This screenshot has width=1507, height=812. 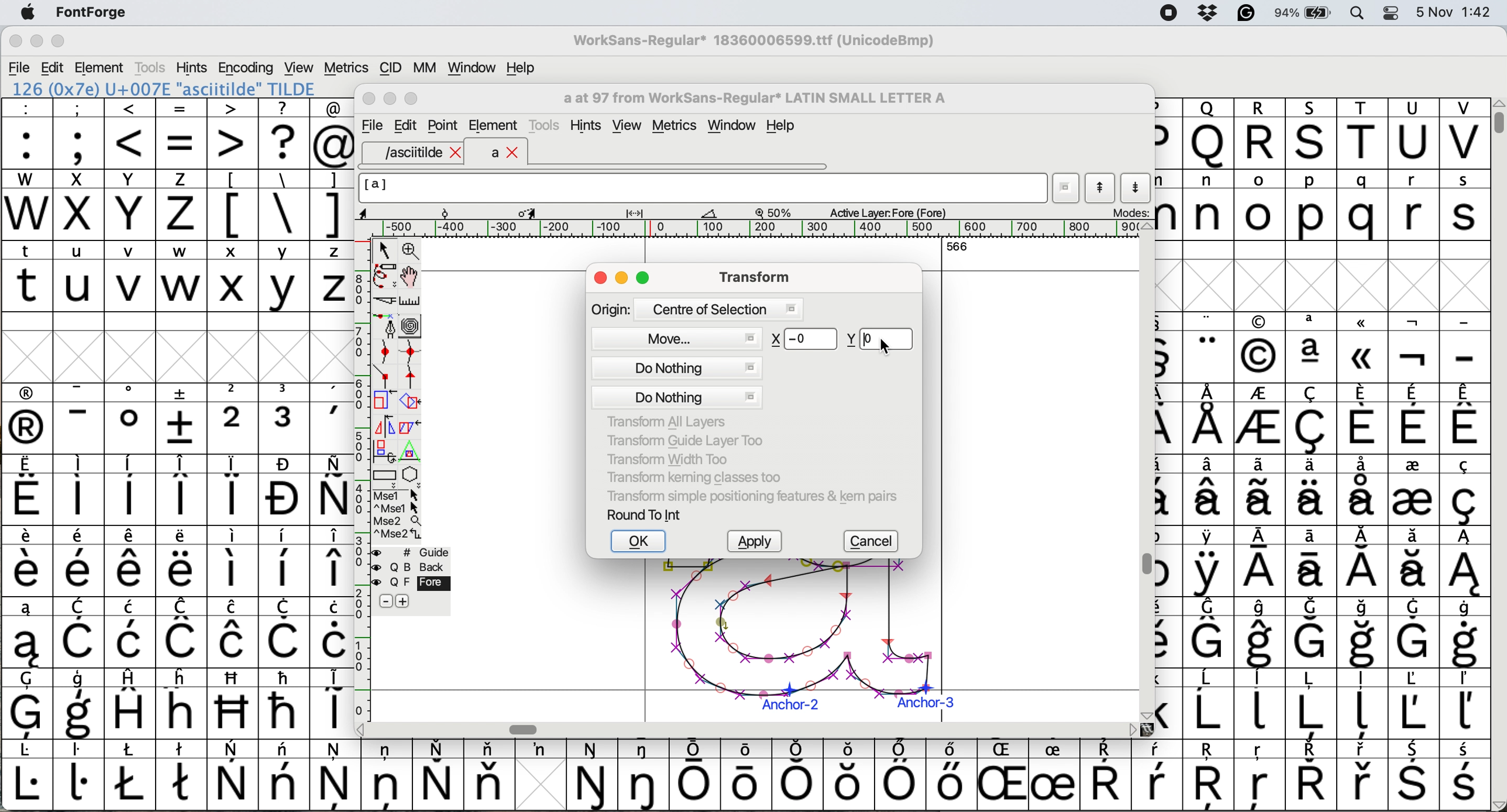 What do you see at coordinates (1313, 133) in the screenshot?
I see `` at bounding box center [1313, 133].